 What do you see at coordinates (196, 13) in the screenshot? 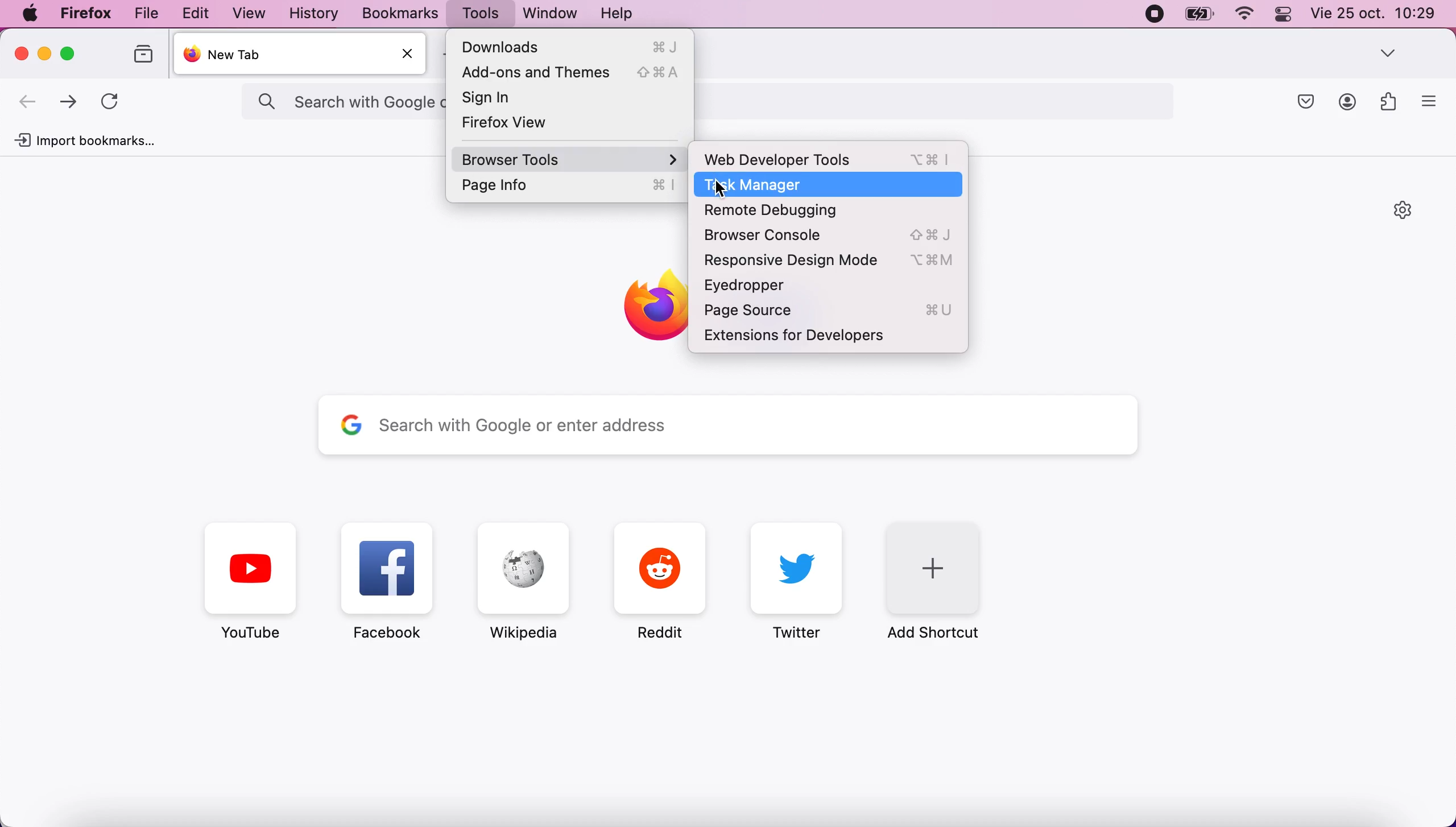
I see `Edit` at bounding box center [196, 13].